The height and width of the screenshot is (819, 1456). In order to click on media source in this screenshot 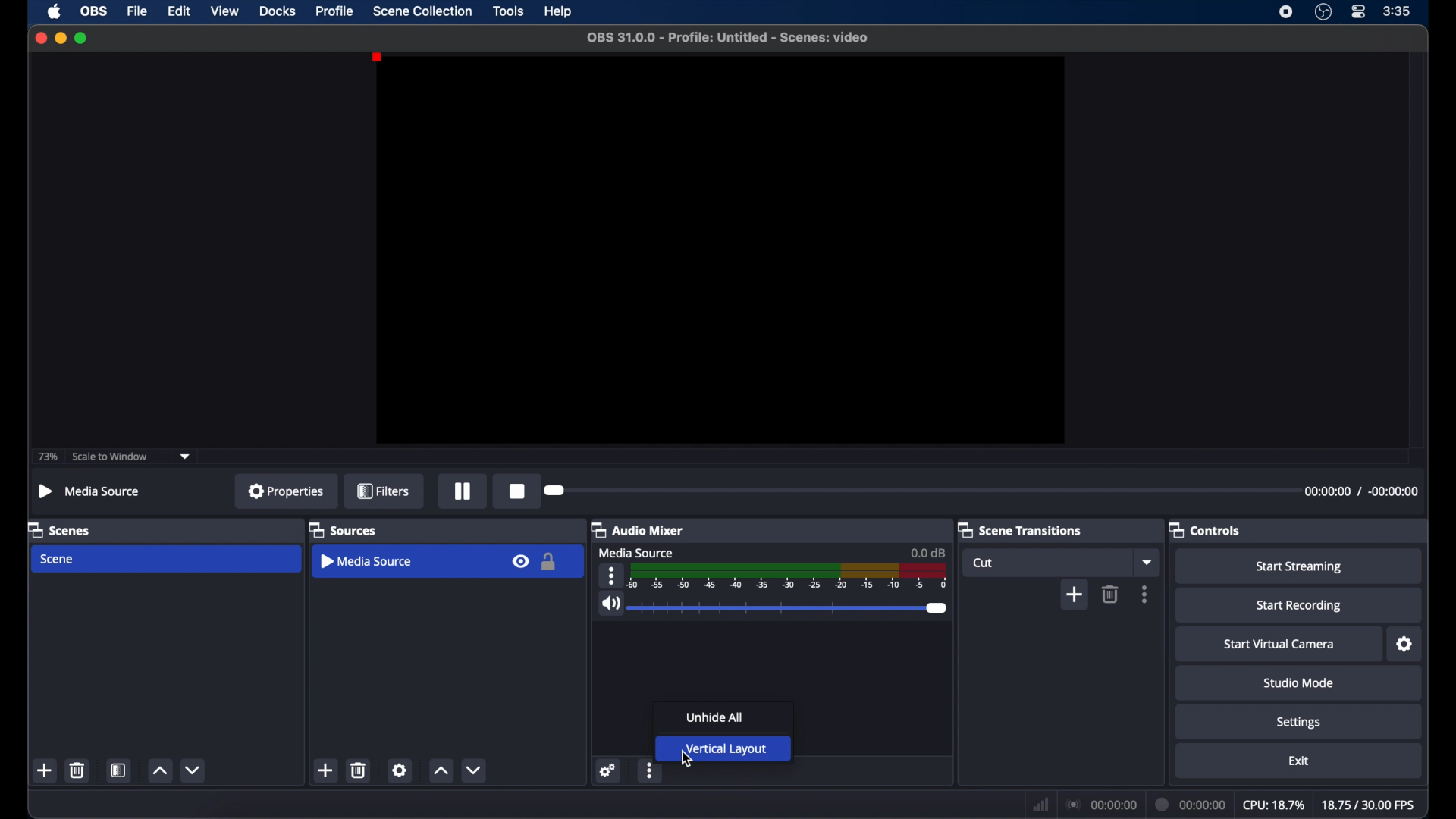, I will do `click(635, 553)`.